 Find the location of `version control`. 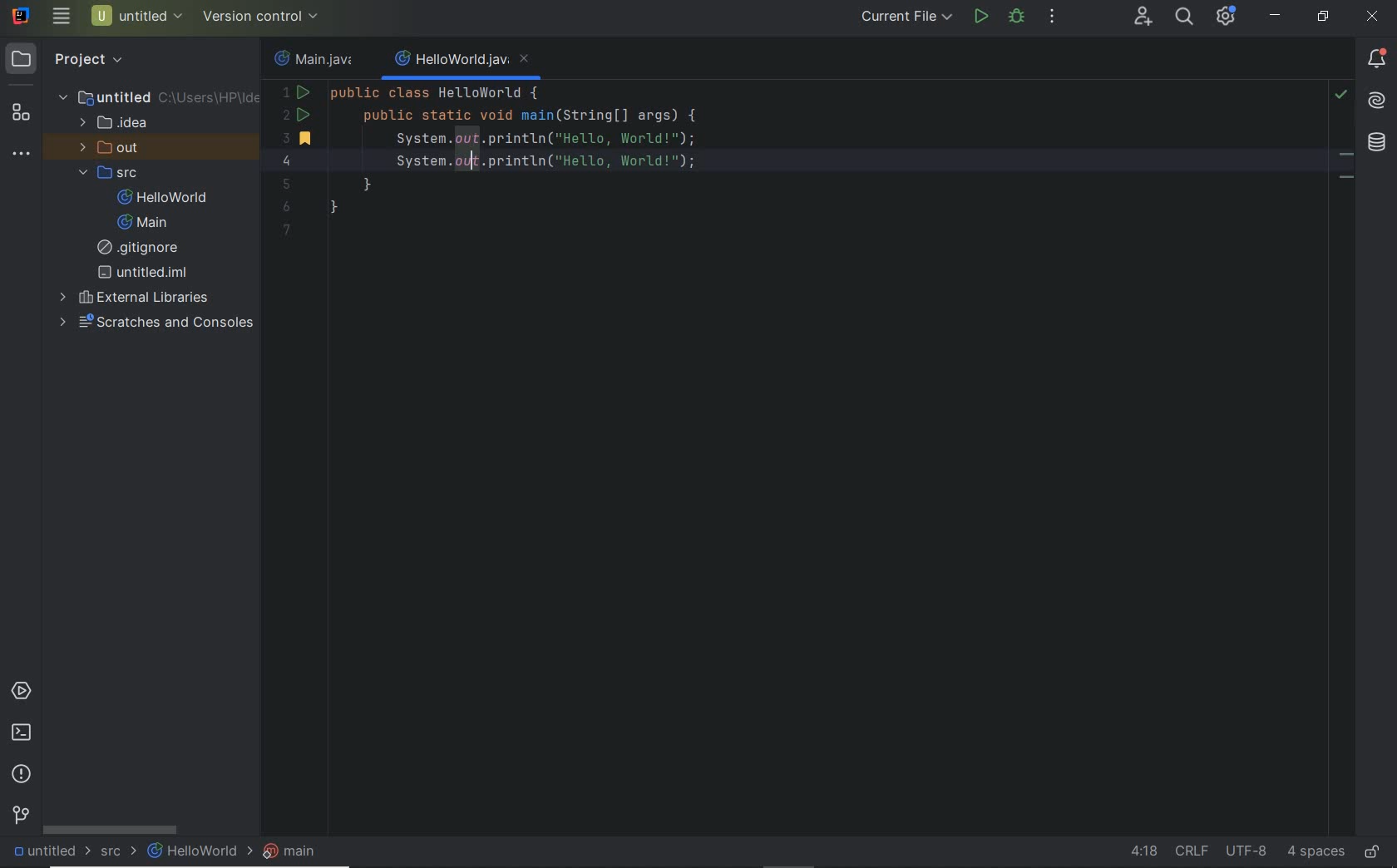

version control is located at coordinates (22, 815).